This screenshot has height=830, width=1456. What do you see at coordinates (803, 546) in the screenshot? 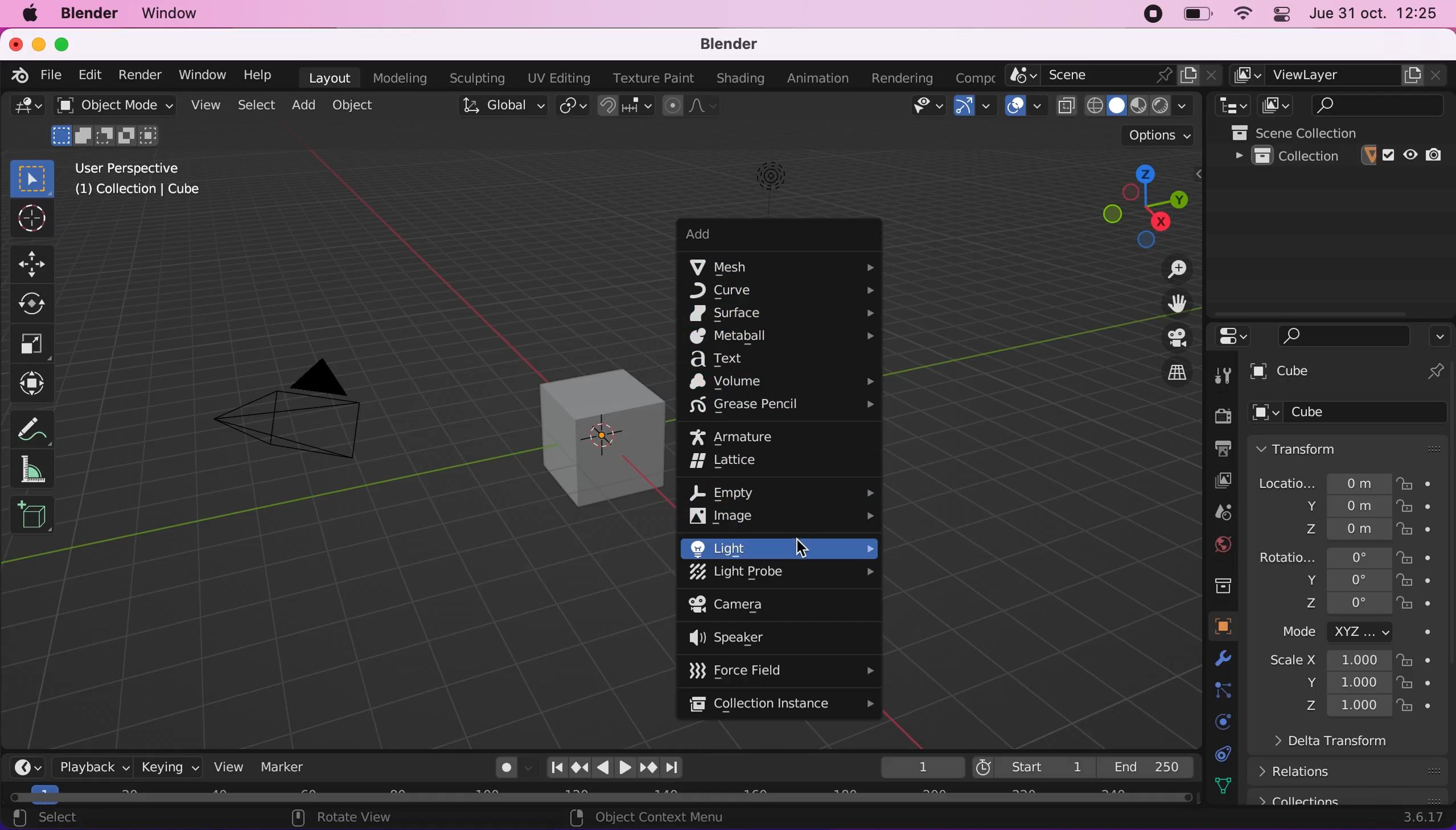
I see `cursor on light` at bounding box center [803, 546].